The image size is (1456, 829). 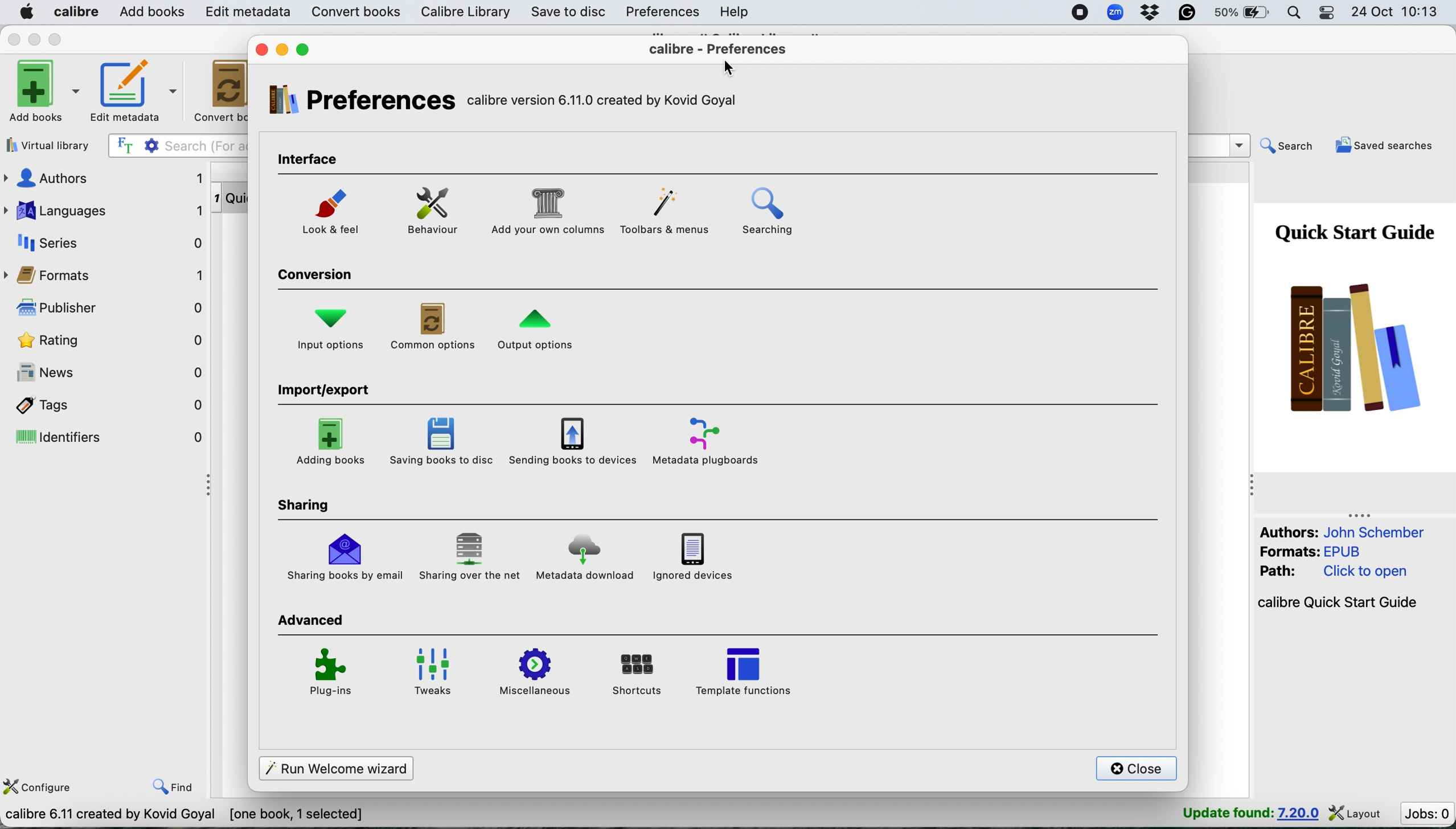 What do you see at coordinates (247, 13) in the screenshot?
I see `edit metadata` at bounding box center [247, 13].